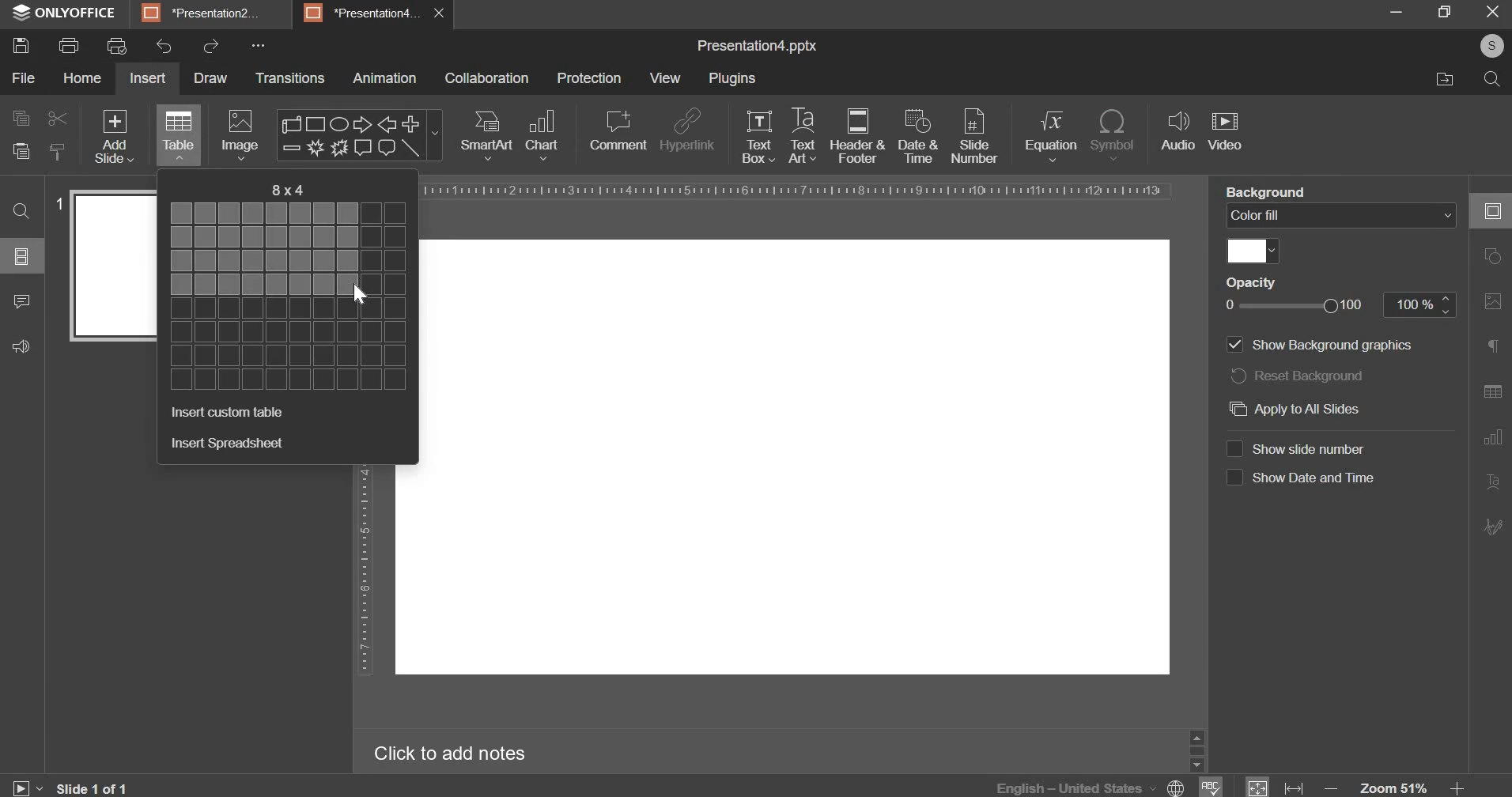 This screenshot has width=1512, height=797. Describe the element at coordinates (687, 130) in the screenshot. I see `hyperlink` at that location.